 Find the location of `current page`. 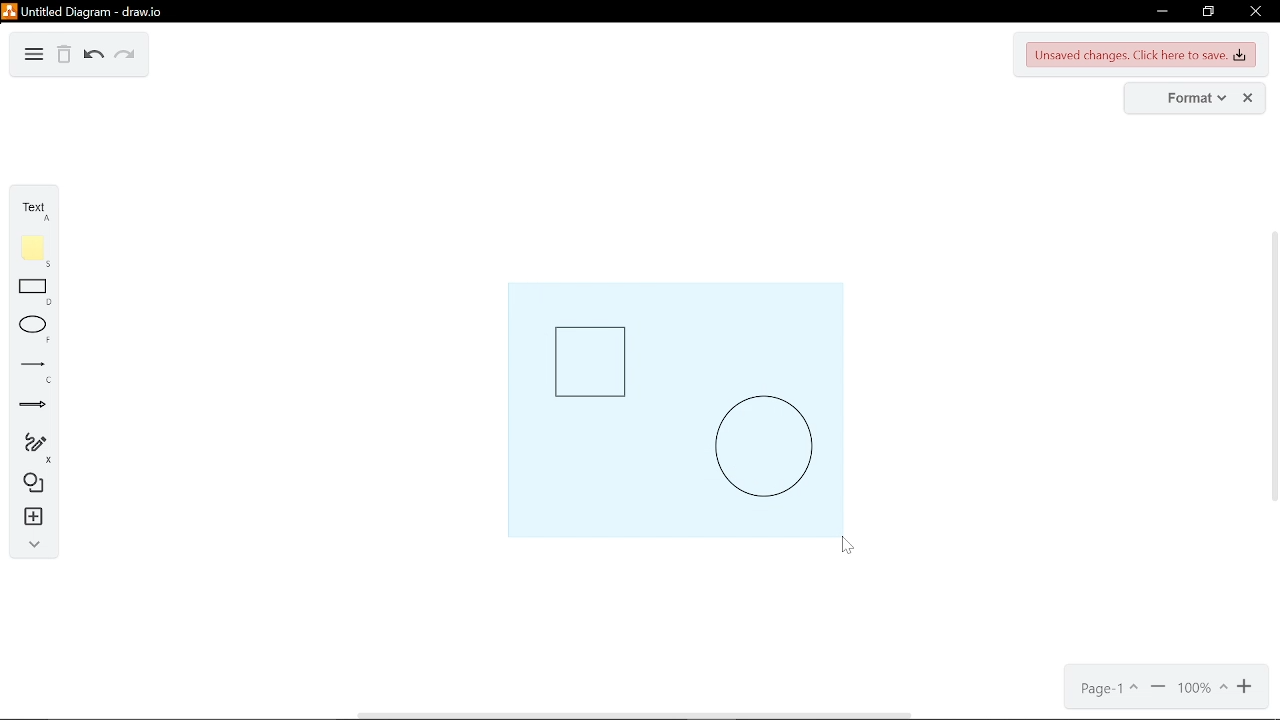

current page is located at coordinates (1107, 689).